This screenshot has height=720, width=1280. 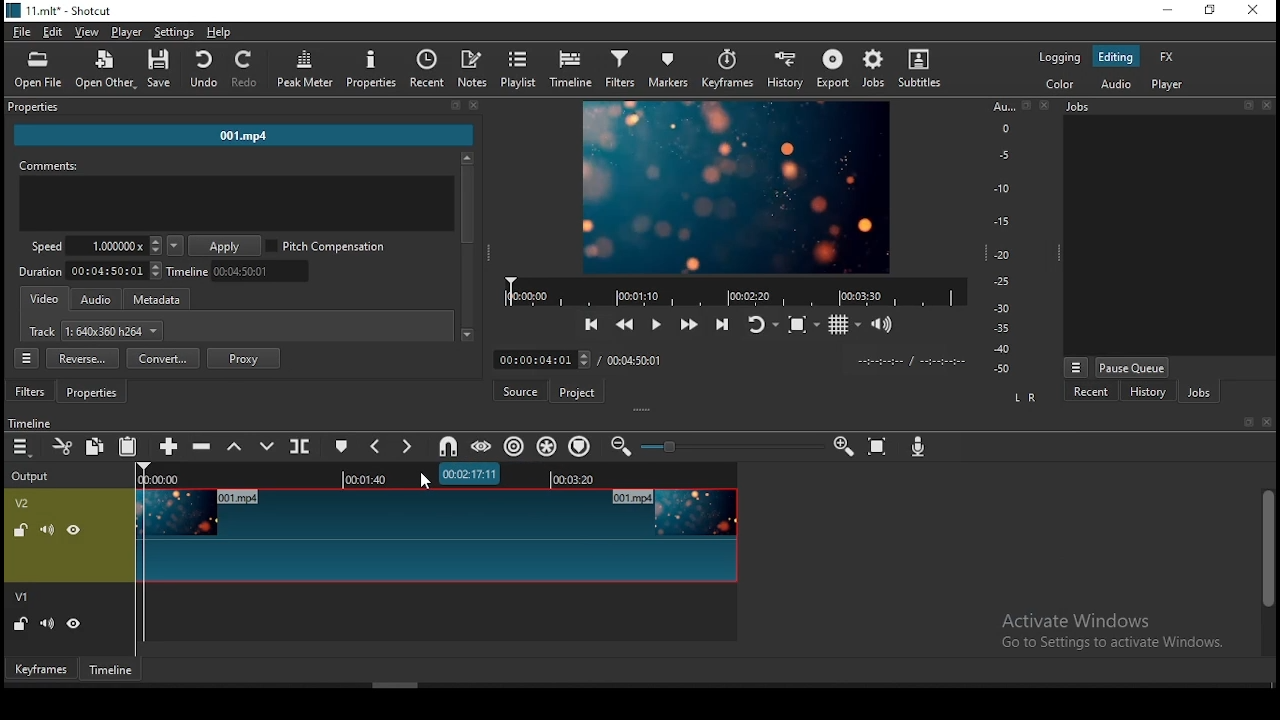 What do you see at coordinates (1115, 57) in the screenshot?
I see `editing` at bounding box center [1115, 57].